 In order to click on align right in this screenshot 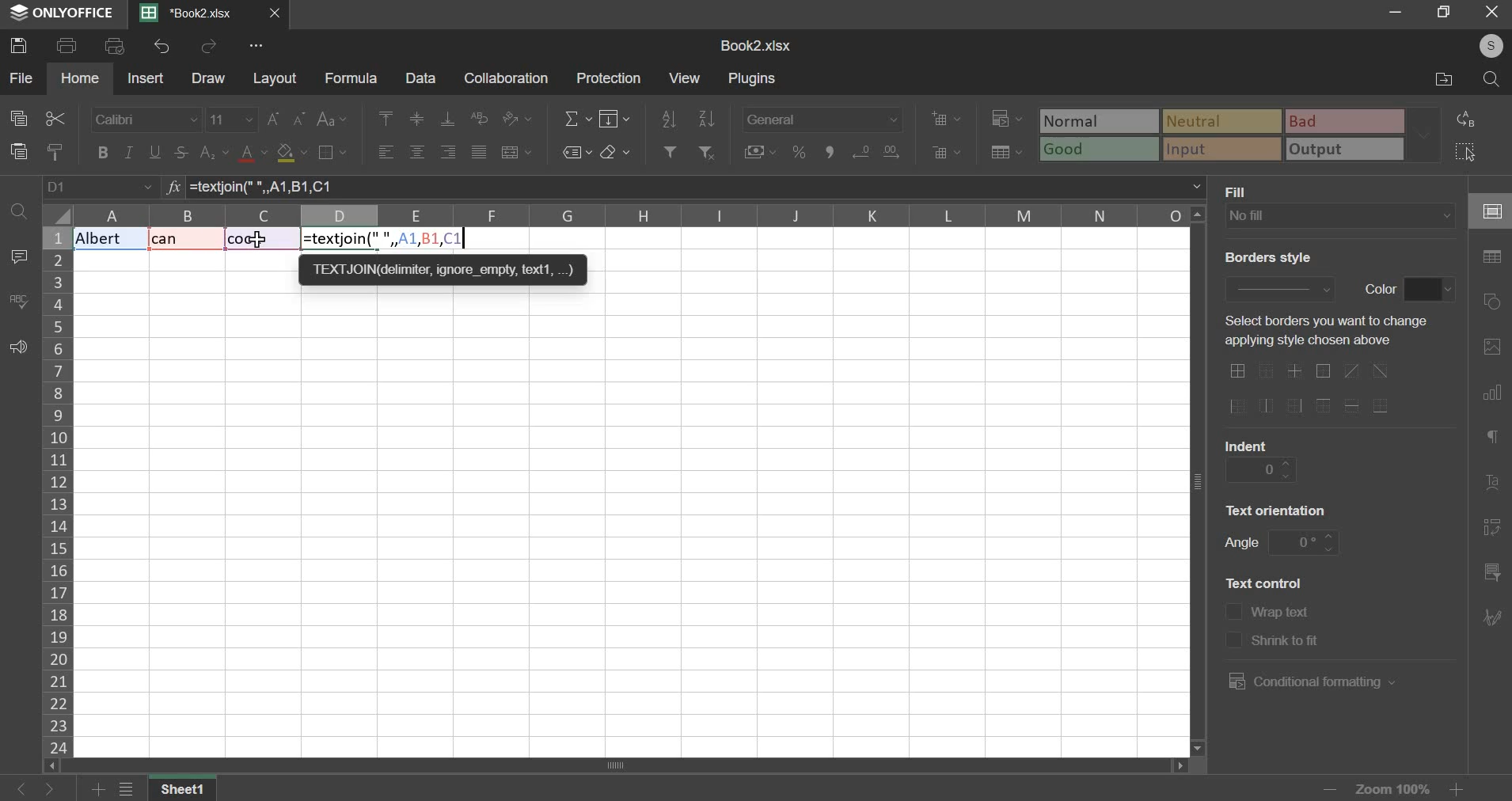, I will do `click(449, 152)`.